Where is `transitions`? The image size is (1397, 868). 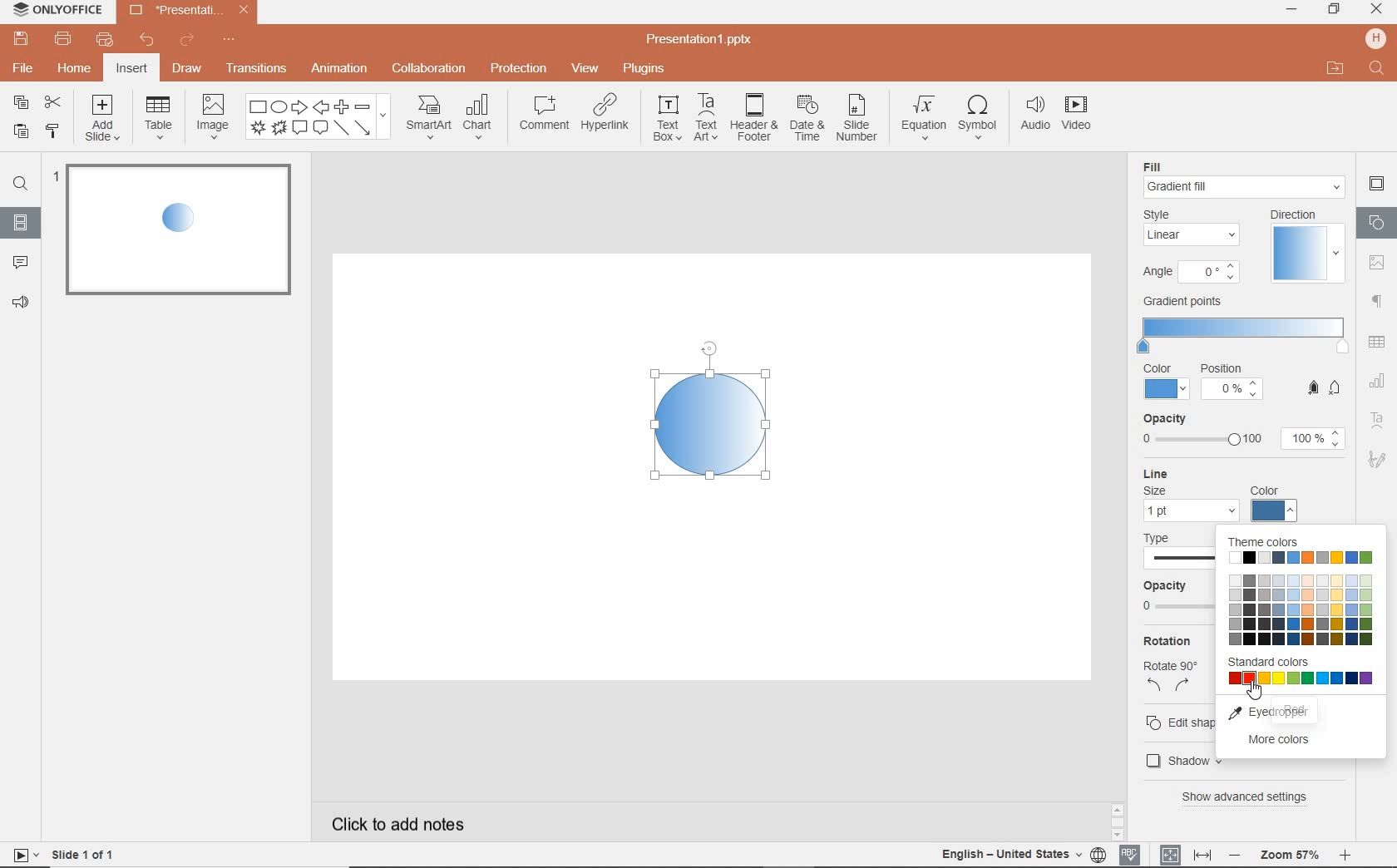 transitions is located at coordinates (256, 67).